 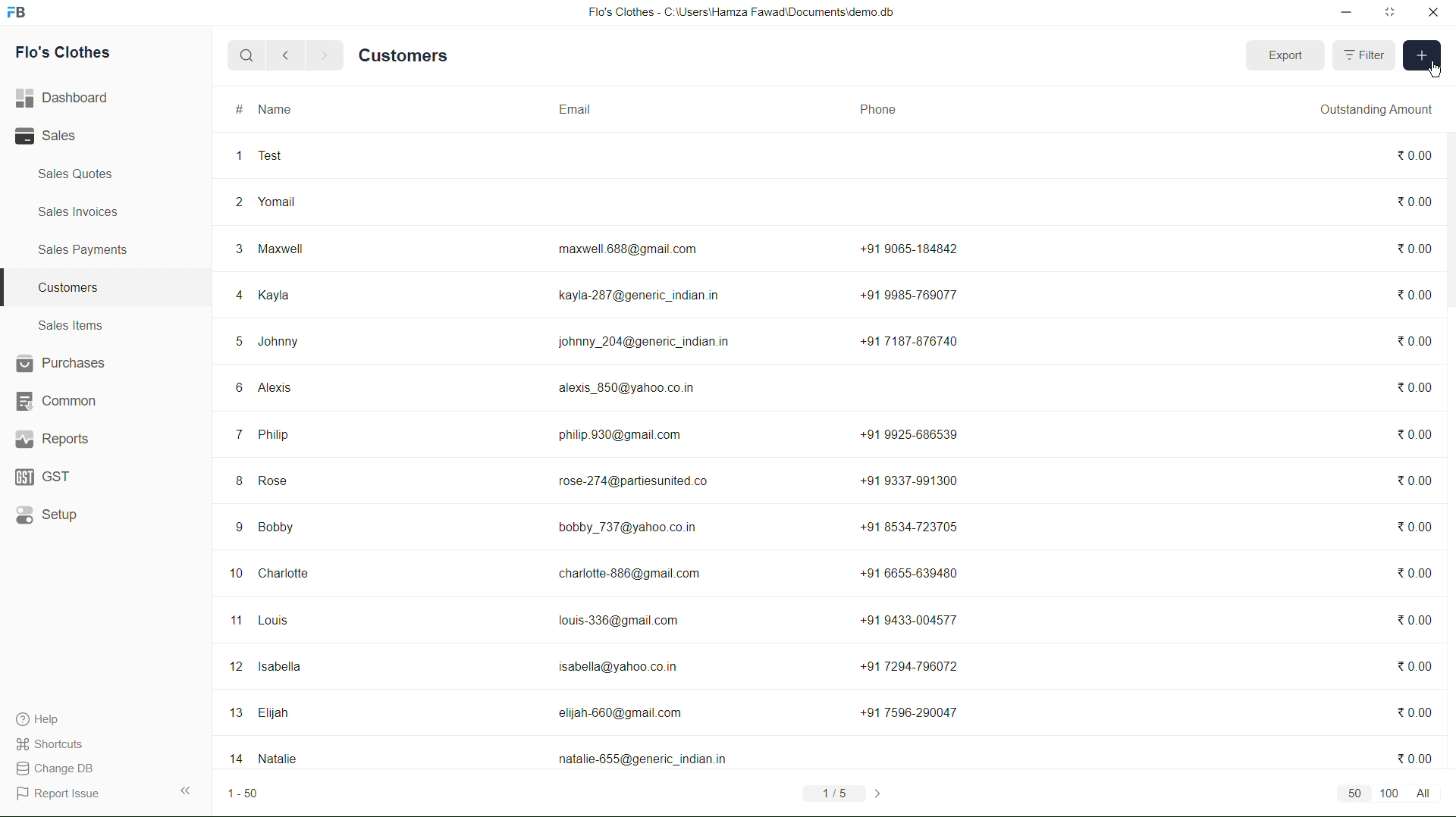 I want to click on bobby_737@yahoo.co.in, so click(x=634, y=528).